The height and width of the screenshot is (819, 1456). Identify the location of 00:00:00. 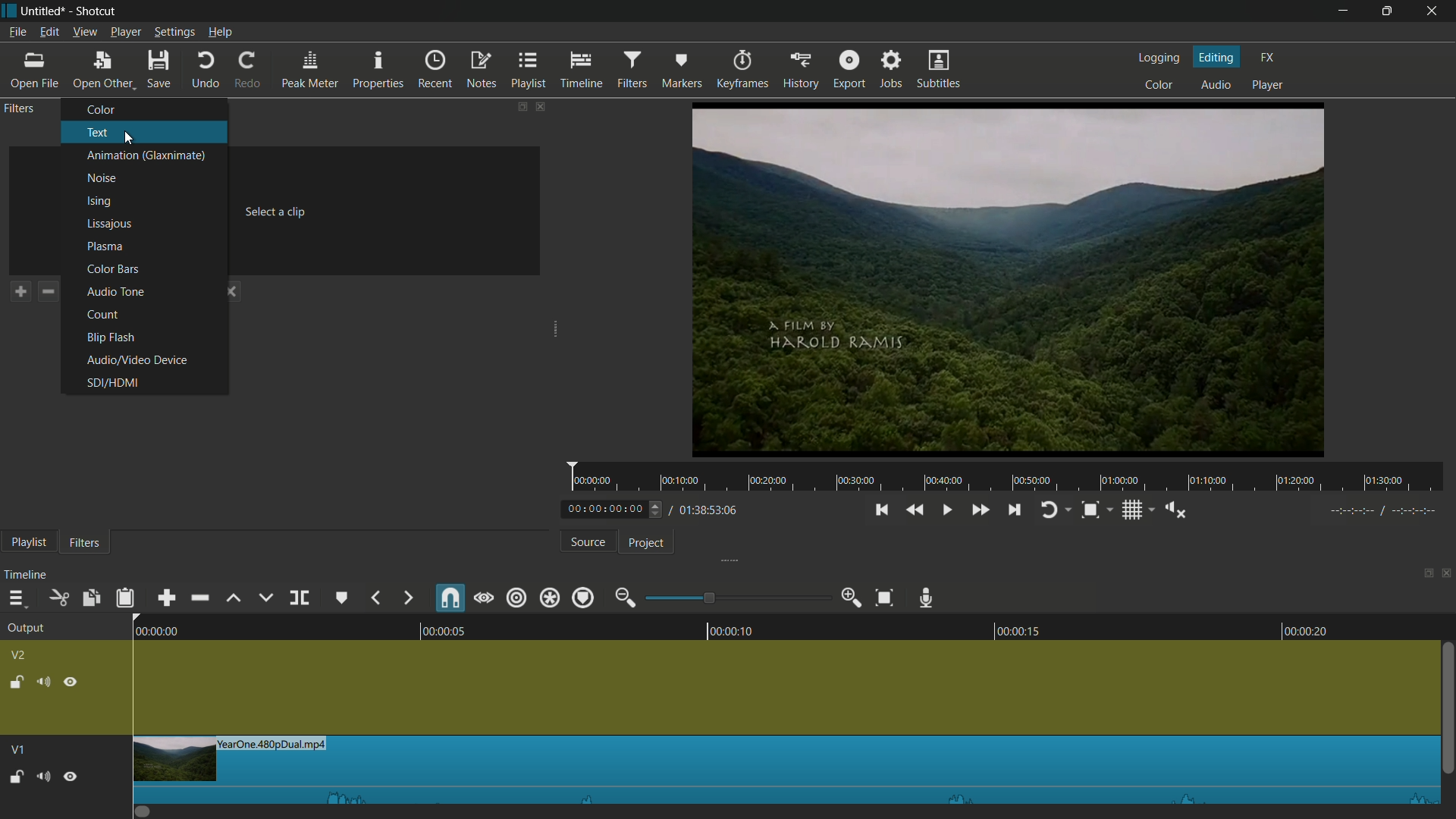
(148, 629).